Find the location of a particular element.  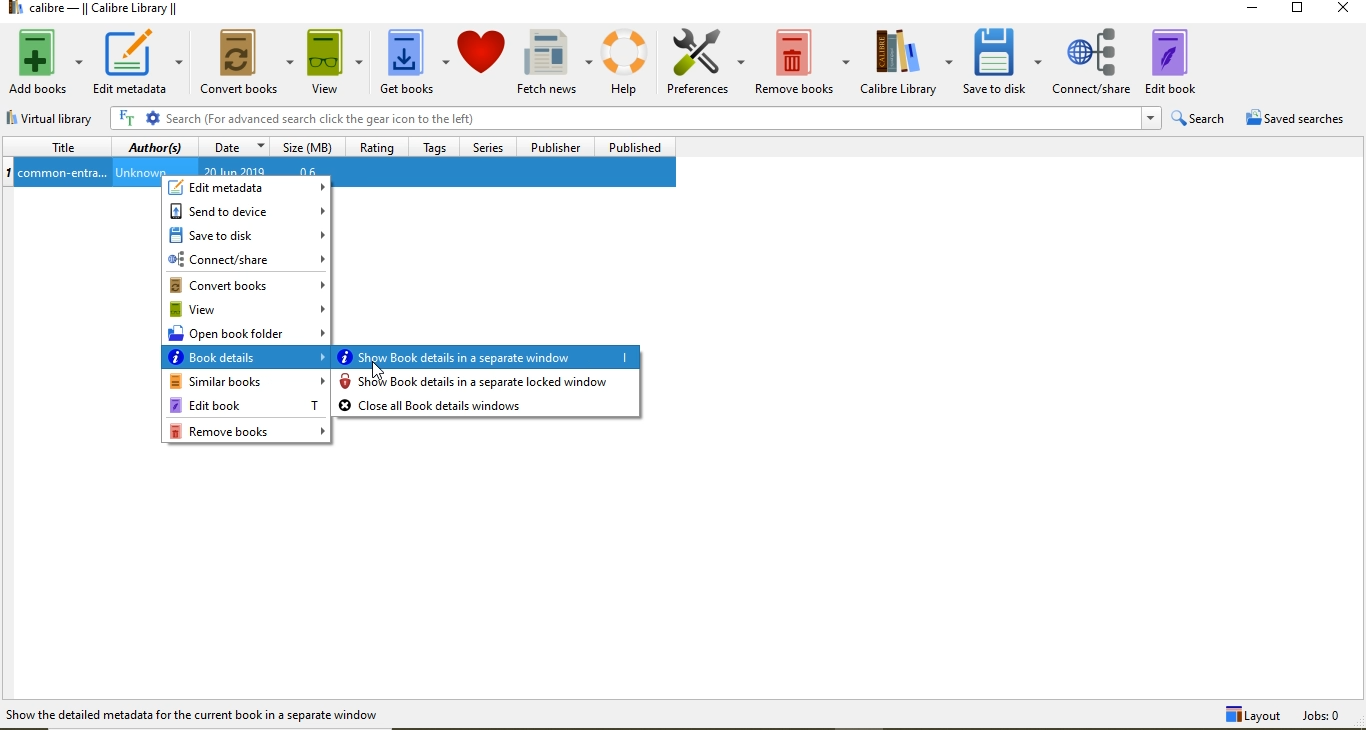

remove books is located at coordinates (804, 58).